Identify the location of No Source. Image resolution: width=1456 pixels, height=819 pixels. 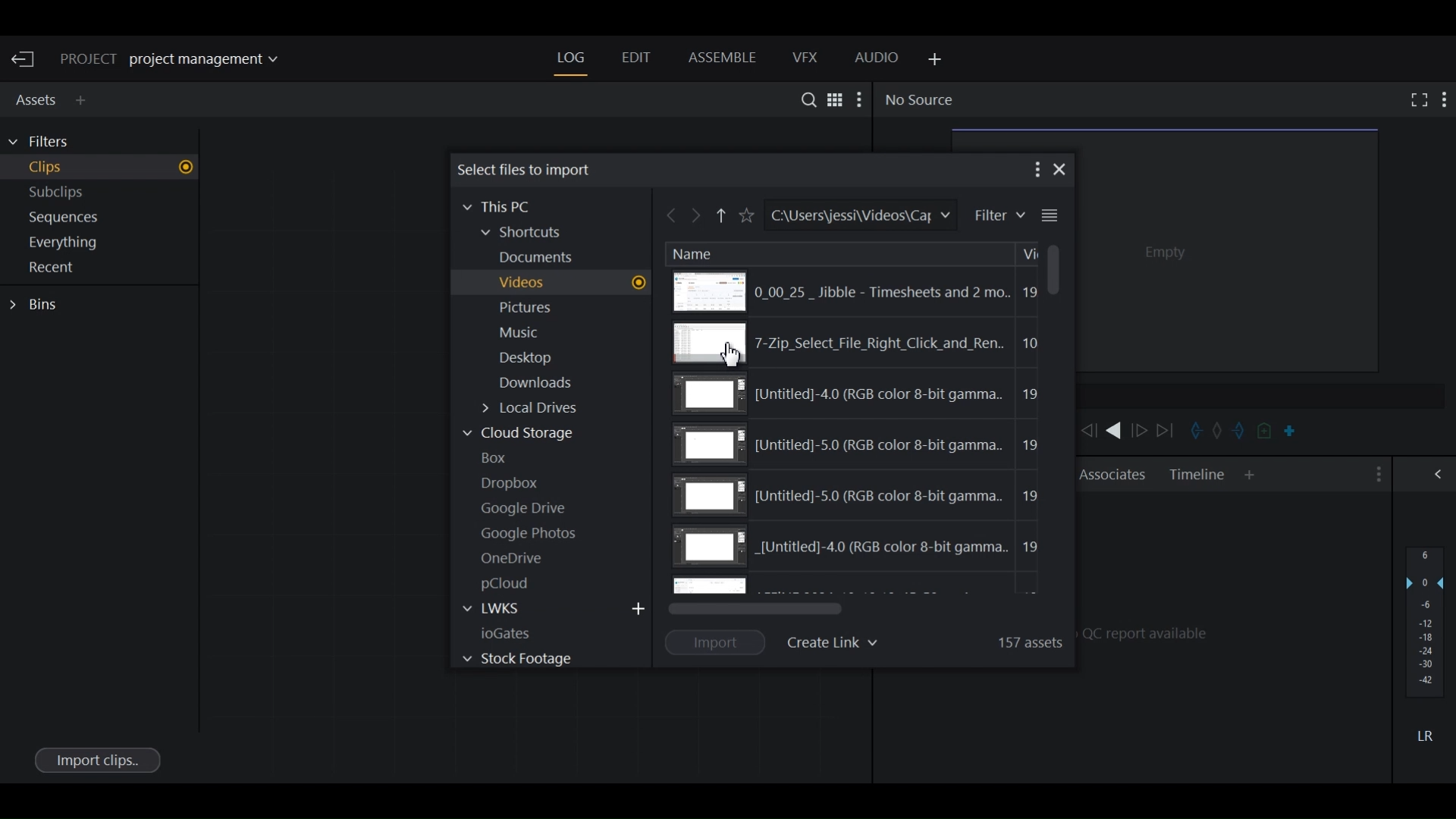
(918, 100).